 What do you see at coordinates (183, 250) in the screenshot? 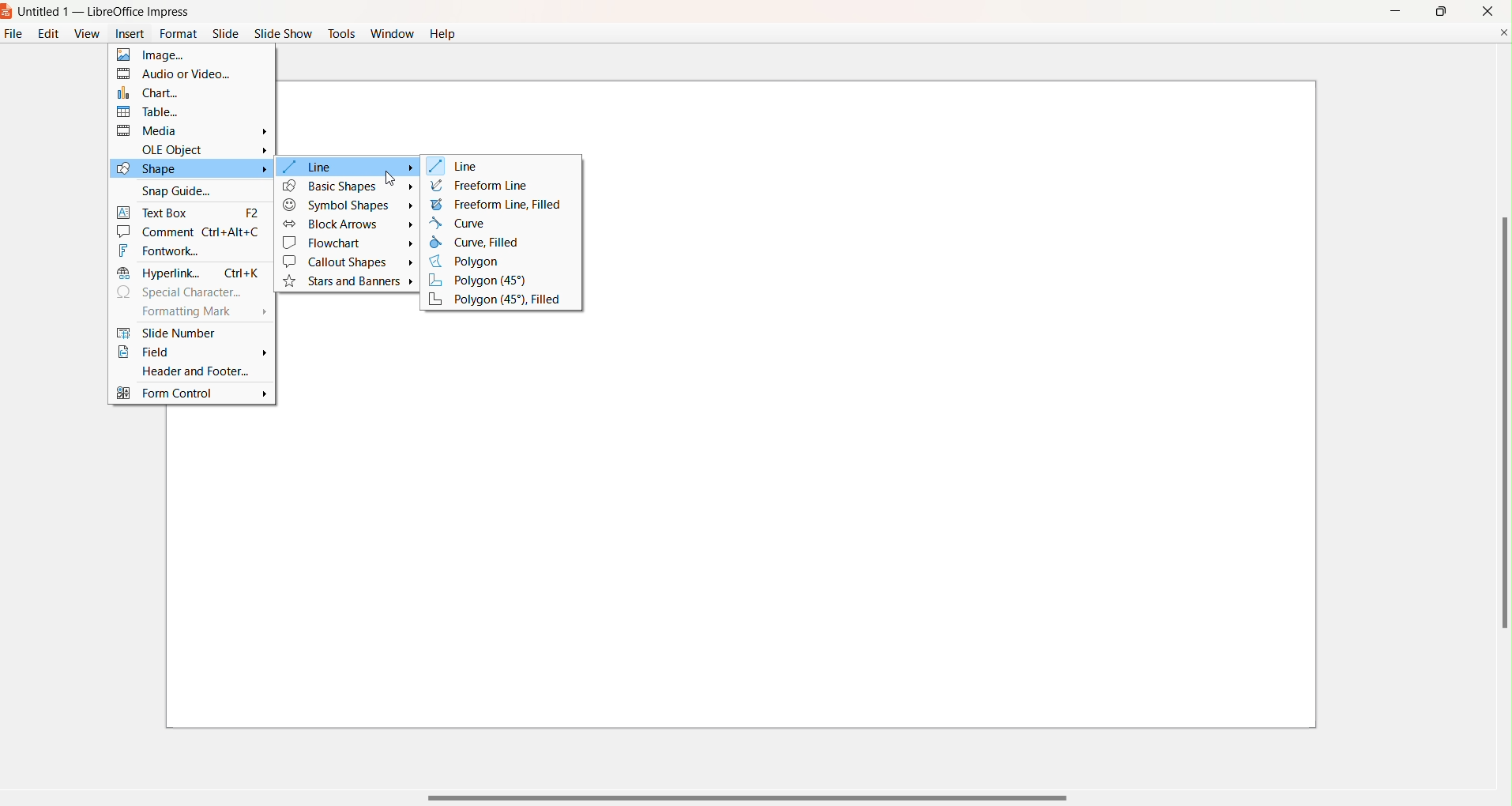
I see `Fontwork` at bounding box center [183, 250].